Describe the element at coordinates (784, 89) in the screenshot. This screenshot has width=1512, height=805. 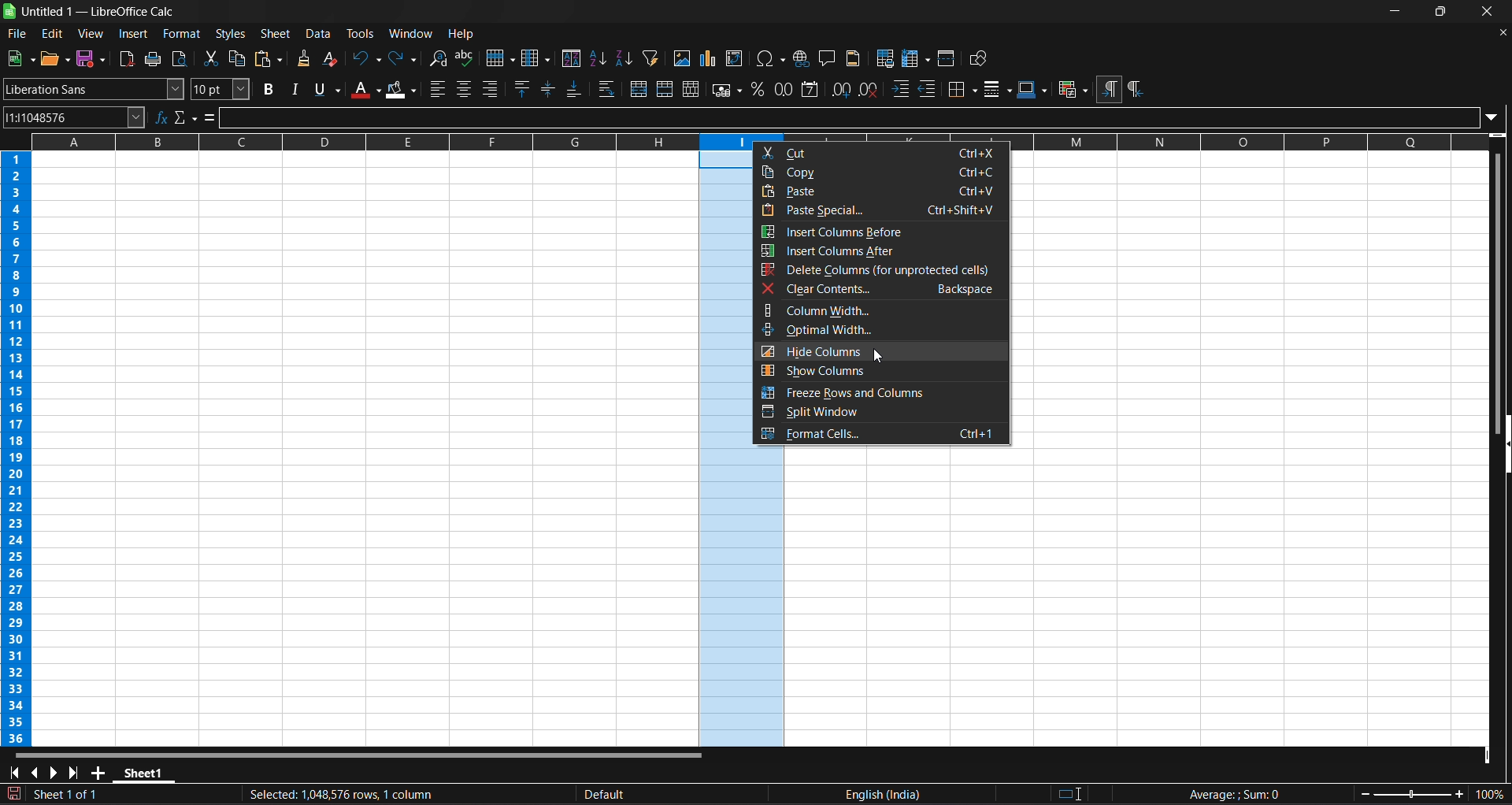
I see `format as number` at that location.